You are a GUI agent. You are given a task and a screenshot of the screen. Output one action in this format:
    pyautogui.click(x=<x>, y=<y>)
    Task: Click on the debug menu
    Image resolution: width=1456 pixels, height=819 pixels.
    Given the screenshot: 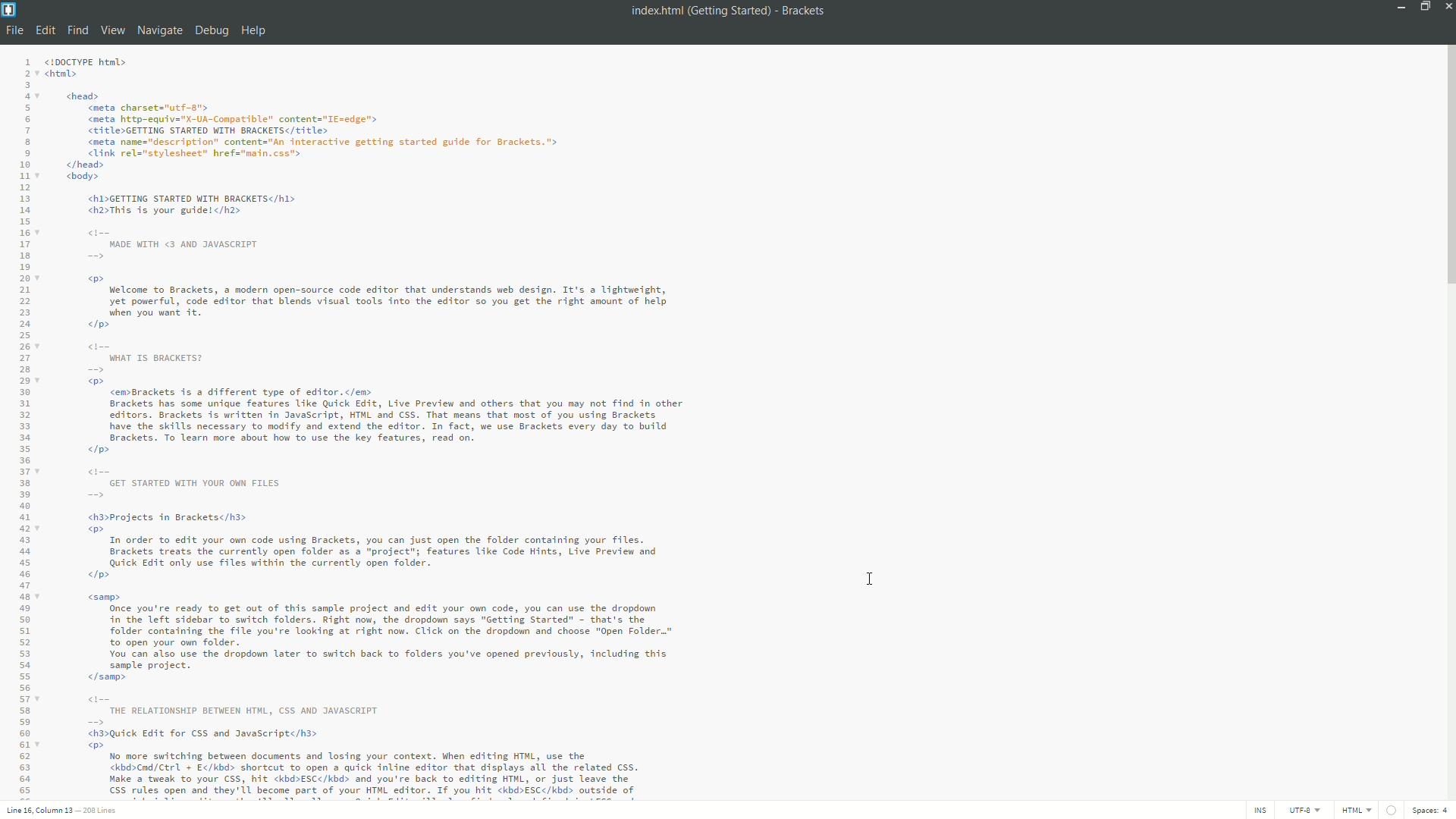 What is the action you would take?
    pyautogui.click(x=210, y=32)
    